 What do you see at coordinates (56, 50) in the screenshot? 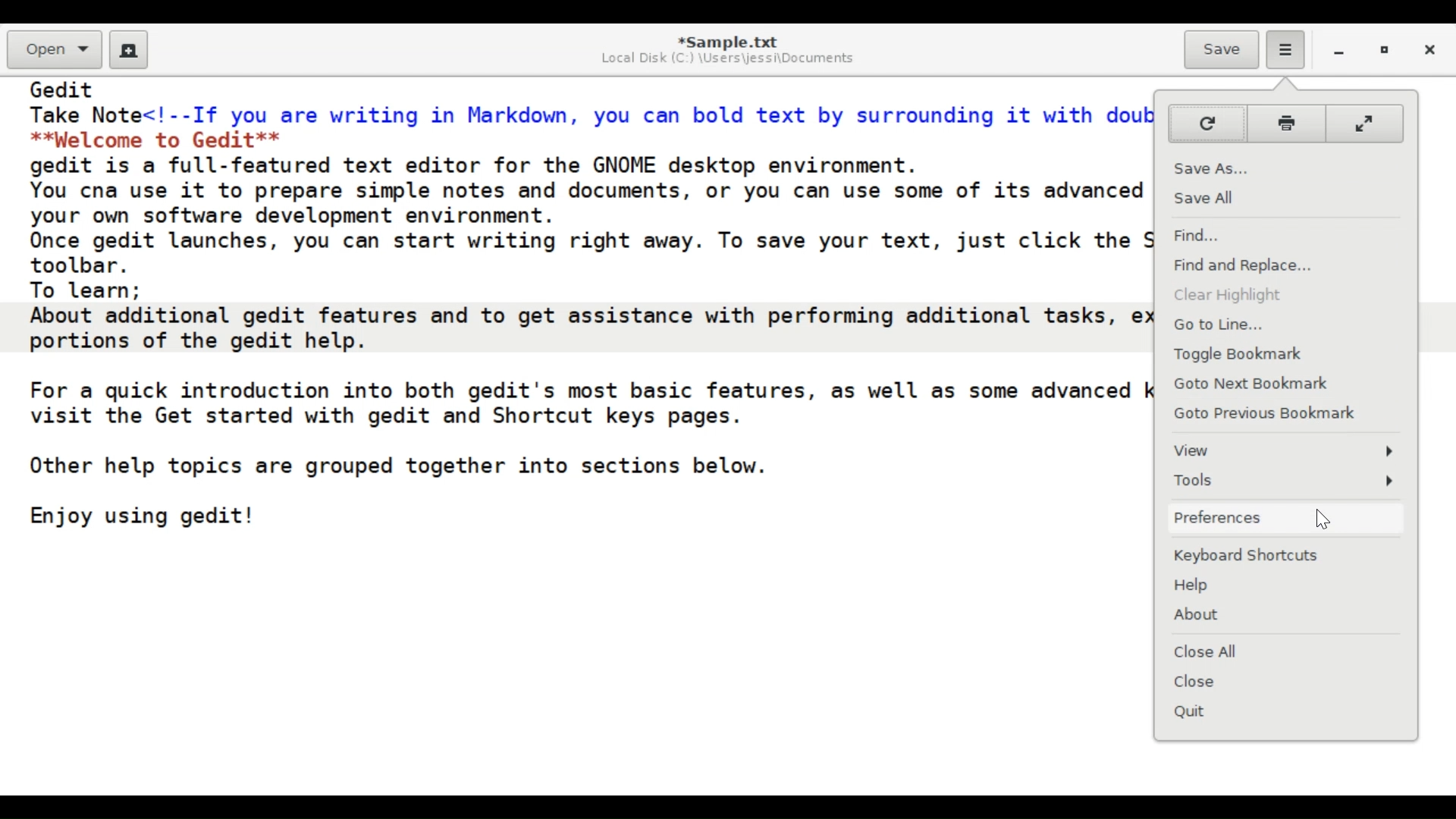
I see `Open` at bounding box center [56, 50].